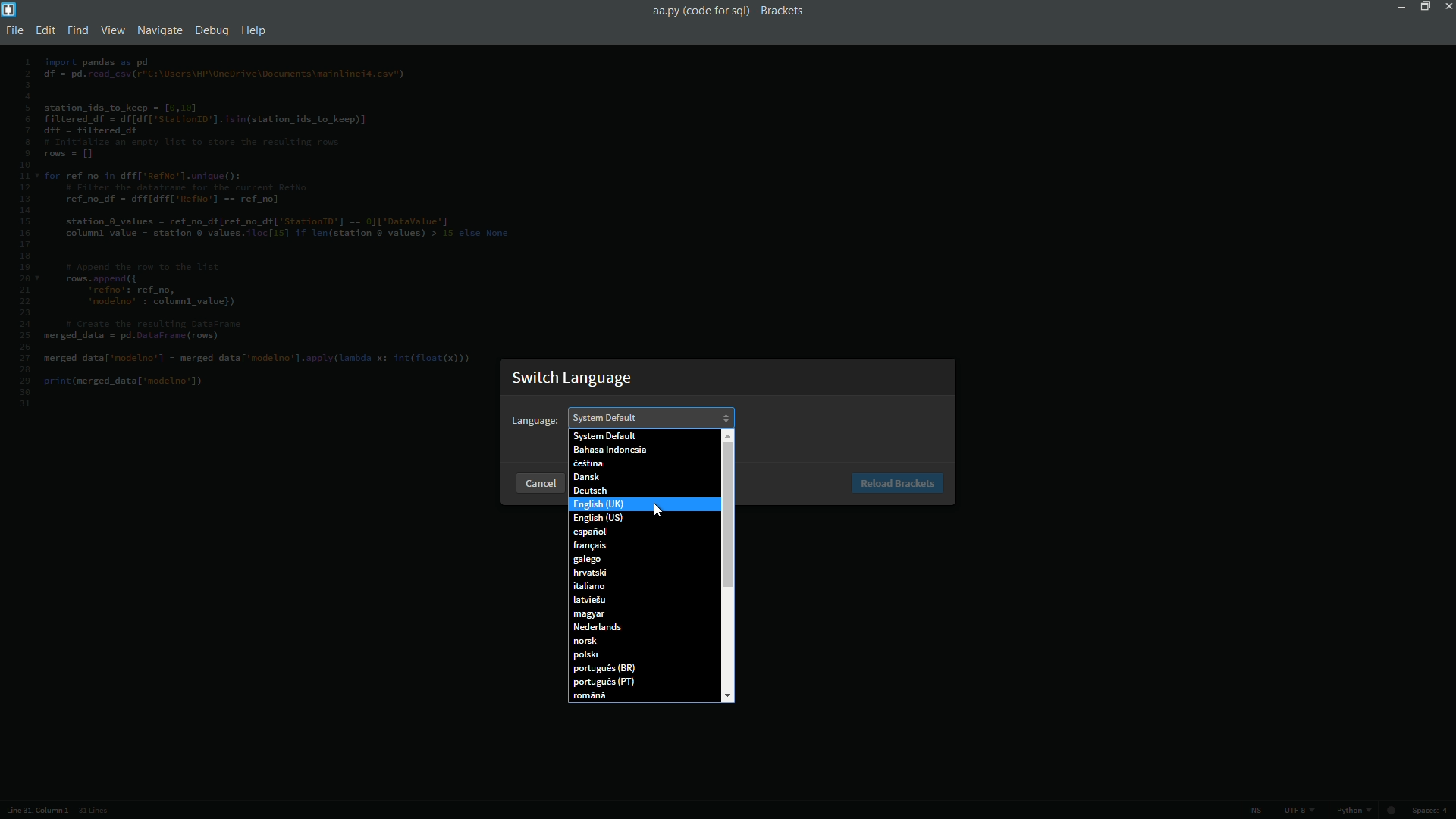 Image resolution: width=1456 pixels, height=819 pixels. What do you see at coordinates (1398, 6) in the screenshot?
I see `minimize` at bounding box center [1398, 6].